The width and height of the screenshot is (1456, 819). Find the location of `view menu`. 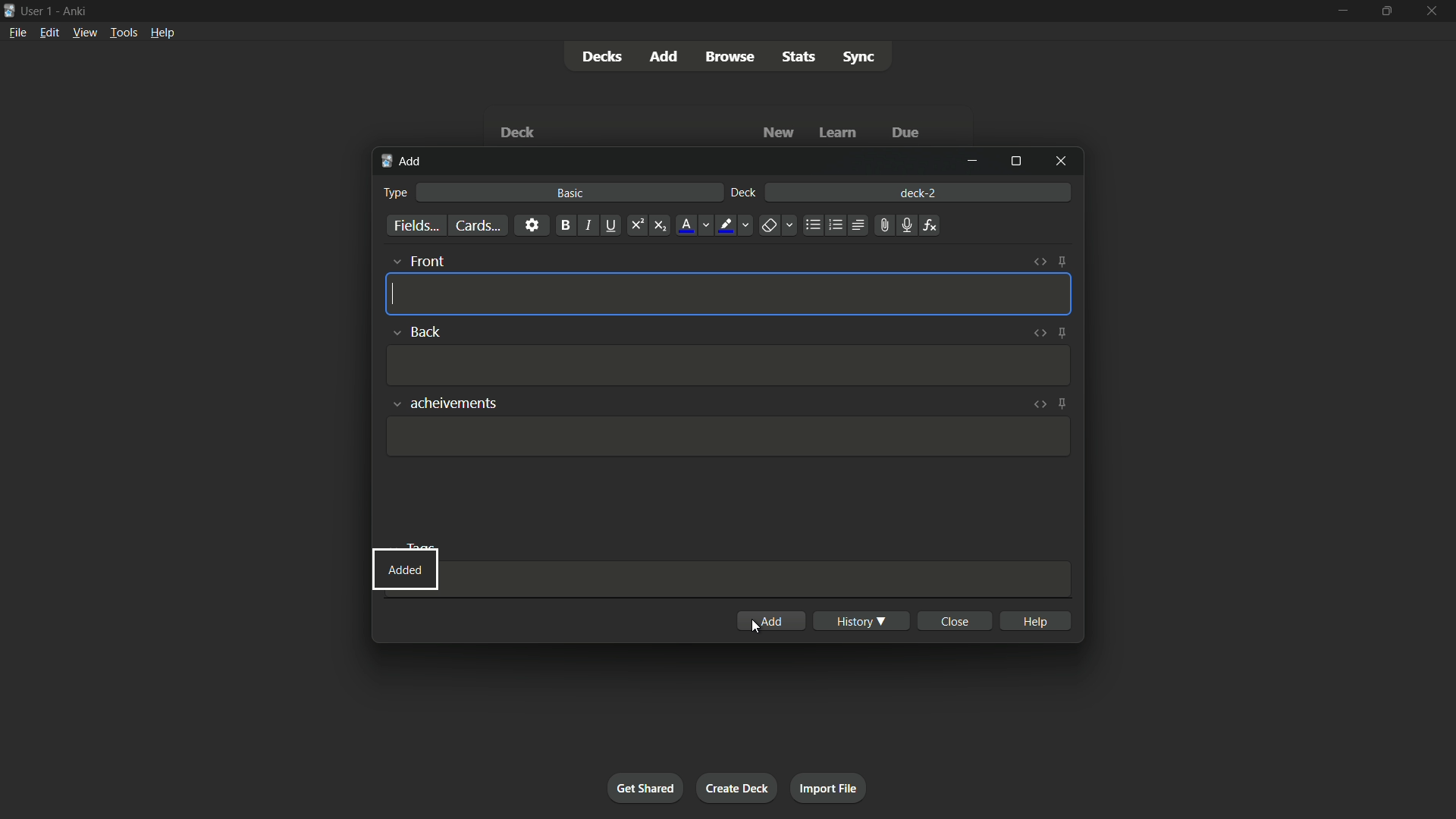

view menu is located at coordinates (85, 33).